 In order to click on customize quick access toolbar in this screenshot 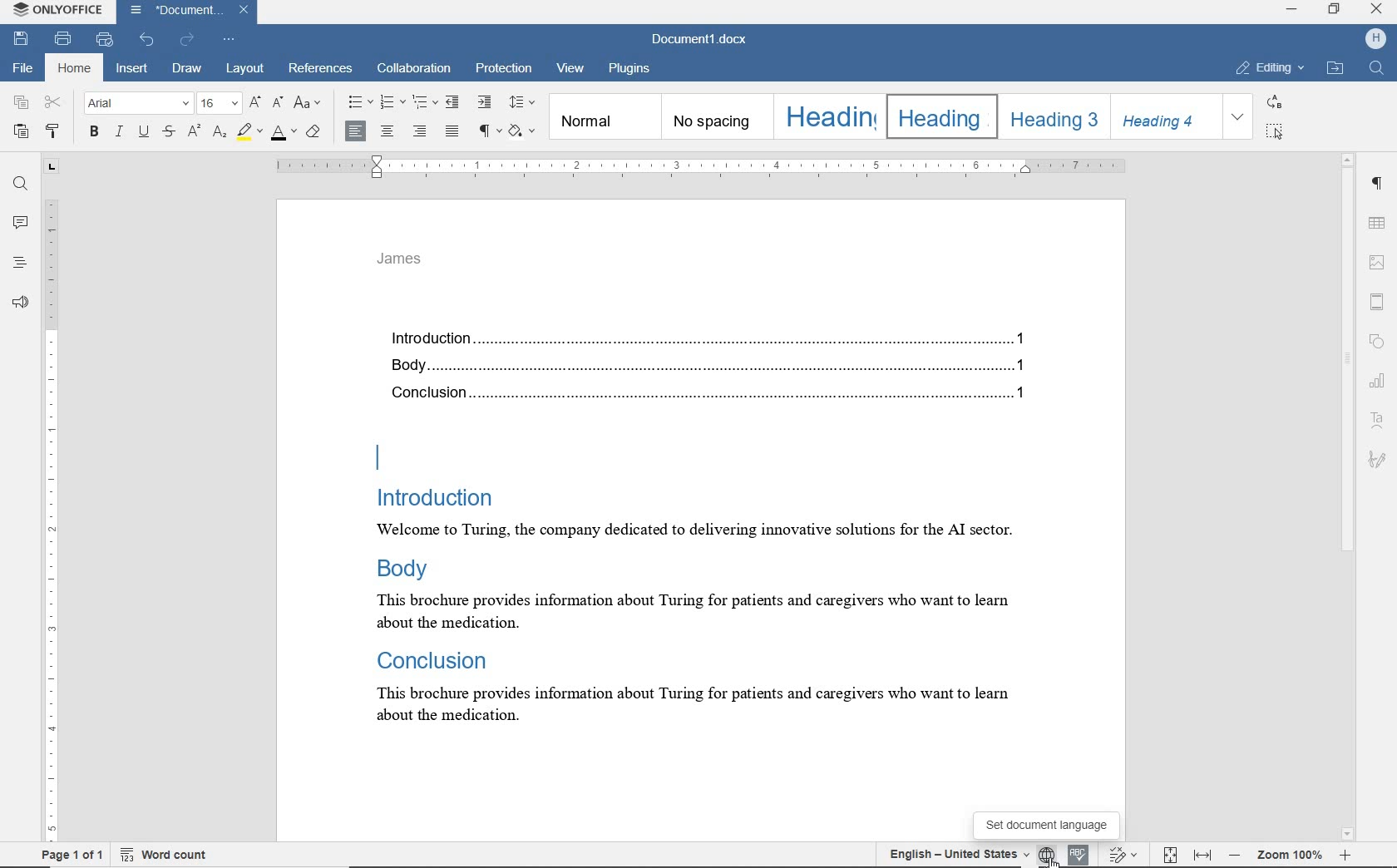, I will do `click(229, 38)`.